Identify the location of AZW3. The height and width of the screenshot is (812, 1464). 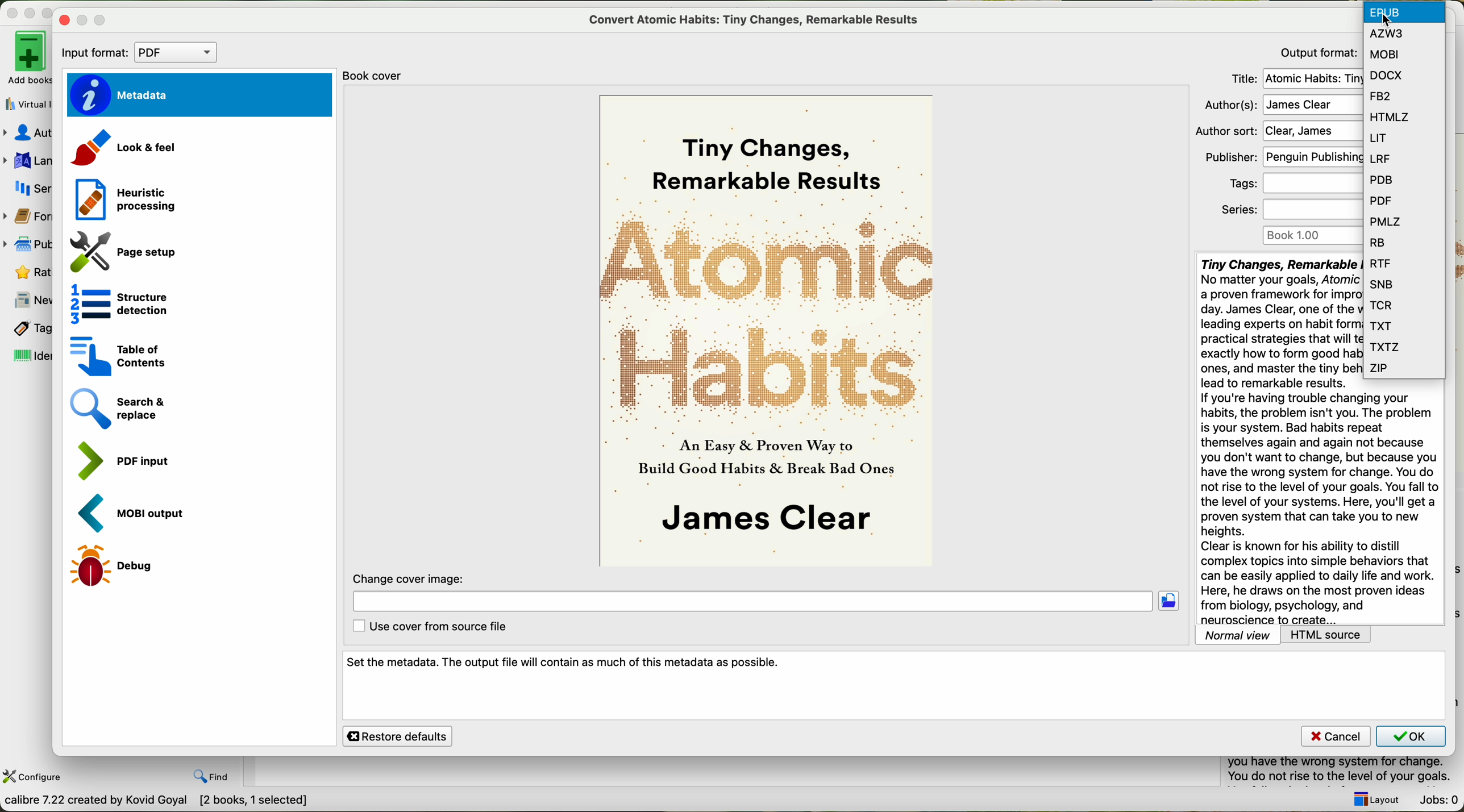
(1403, 33).